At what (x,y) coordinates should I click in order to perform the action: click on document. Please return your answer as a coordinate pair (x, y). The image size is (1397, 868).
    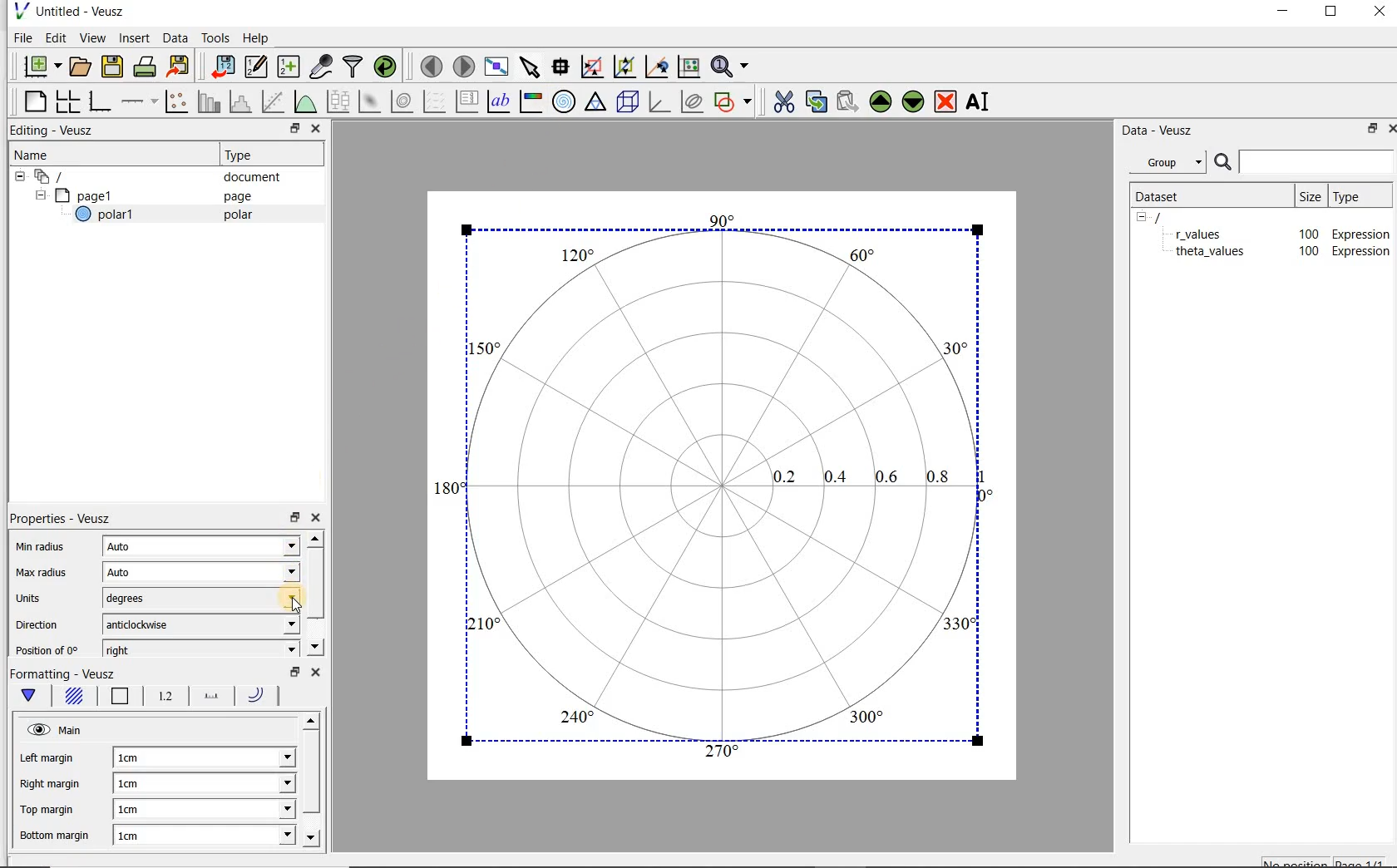
    Looking at the image, I should click on (245, 177).